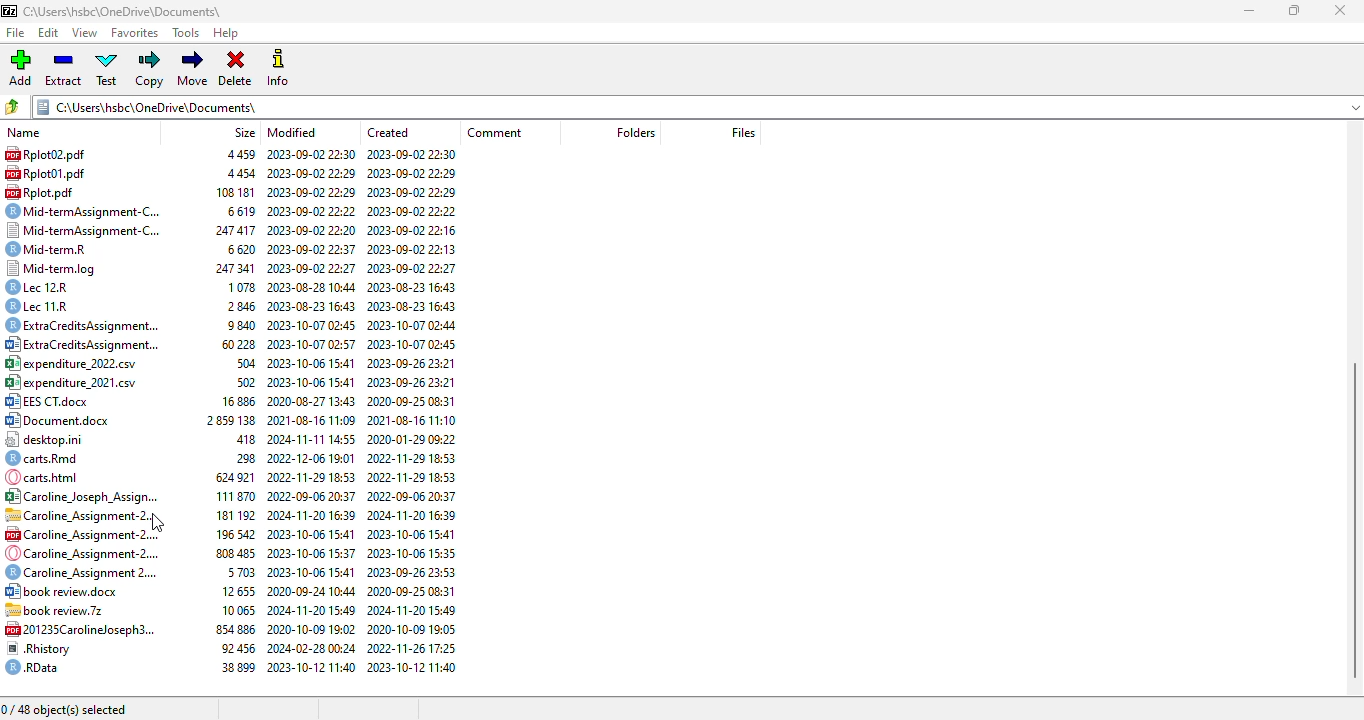  What do you see at coordinates (80, 552) in the screenshot?
I see ` Caroline Assianment-2.` at bounding box center [80, 552].